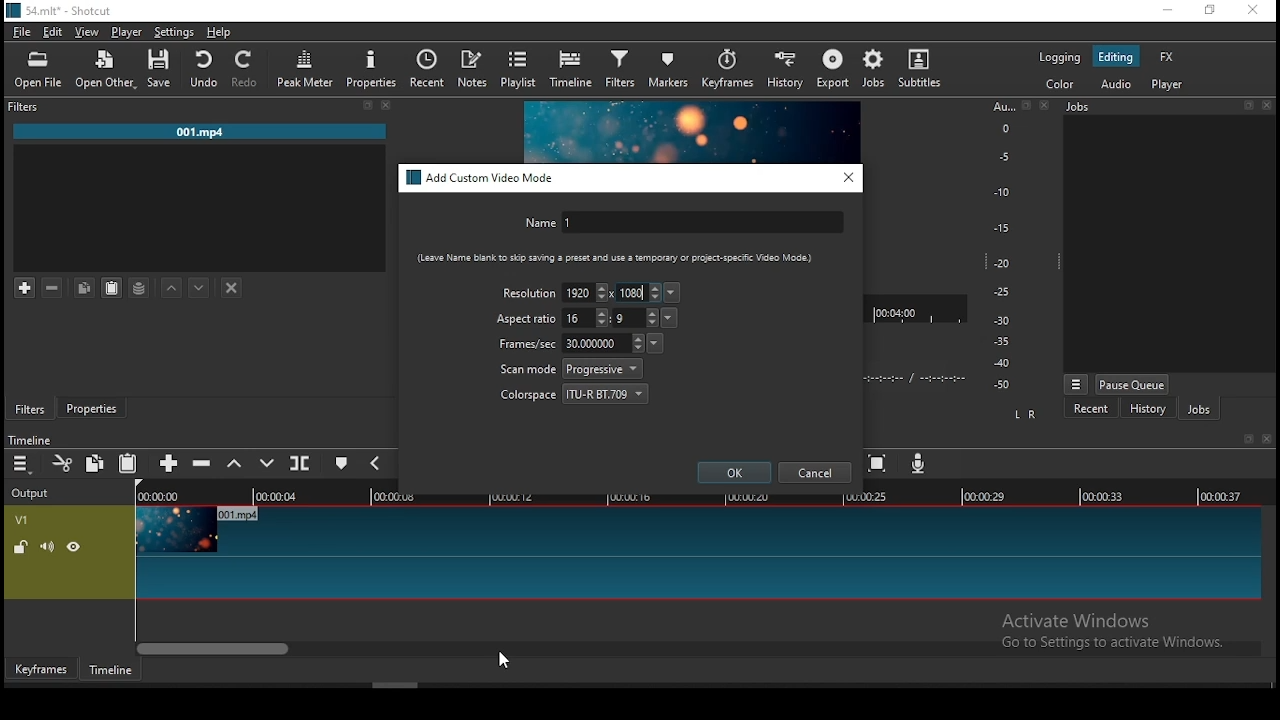  What do you see at coordinates (1224, 496) in the screenshot?
I see `00:00:37` at bounding box center [1224, 496].